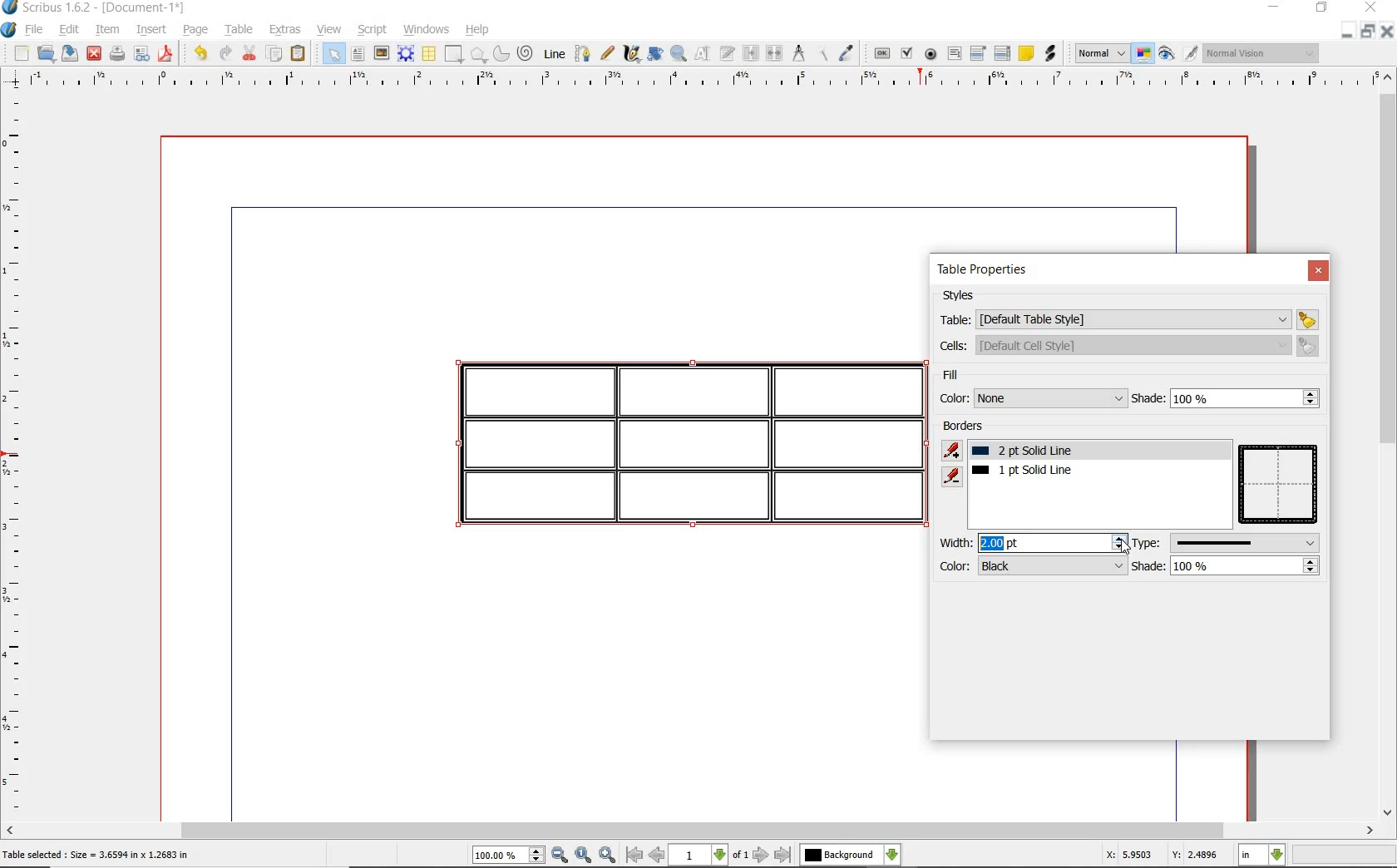  What do you see at coordinates (1140, 52) in the screenshot?
I see `toggle color management system` at bounding box center [1140, 52].